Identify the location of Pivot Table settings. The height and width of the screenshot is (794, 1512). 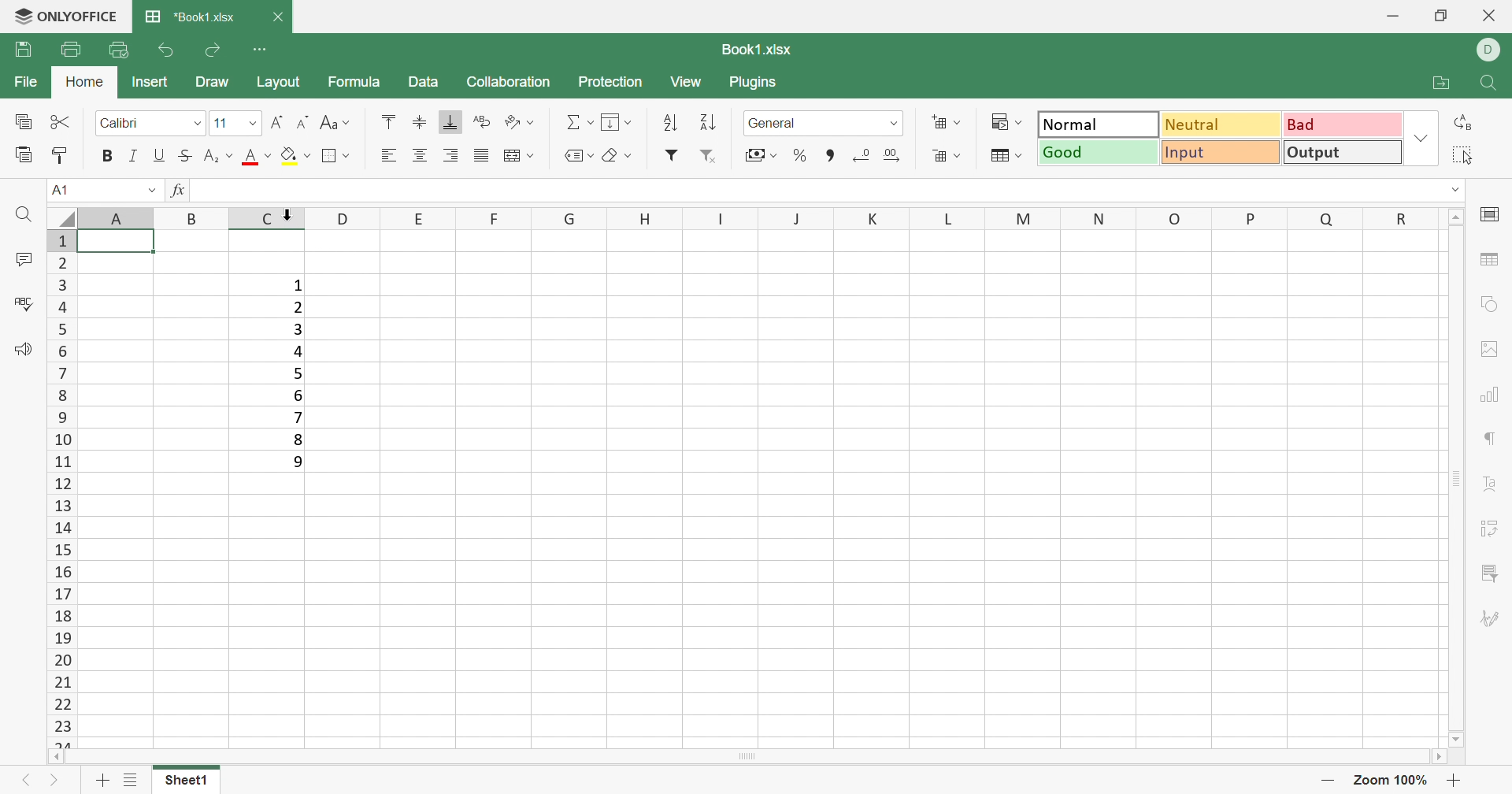
(1494, 531).